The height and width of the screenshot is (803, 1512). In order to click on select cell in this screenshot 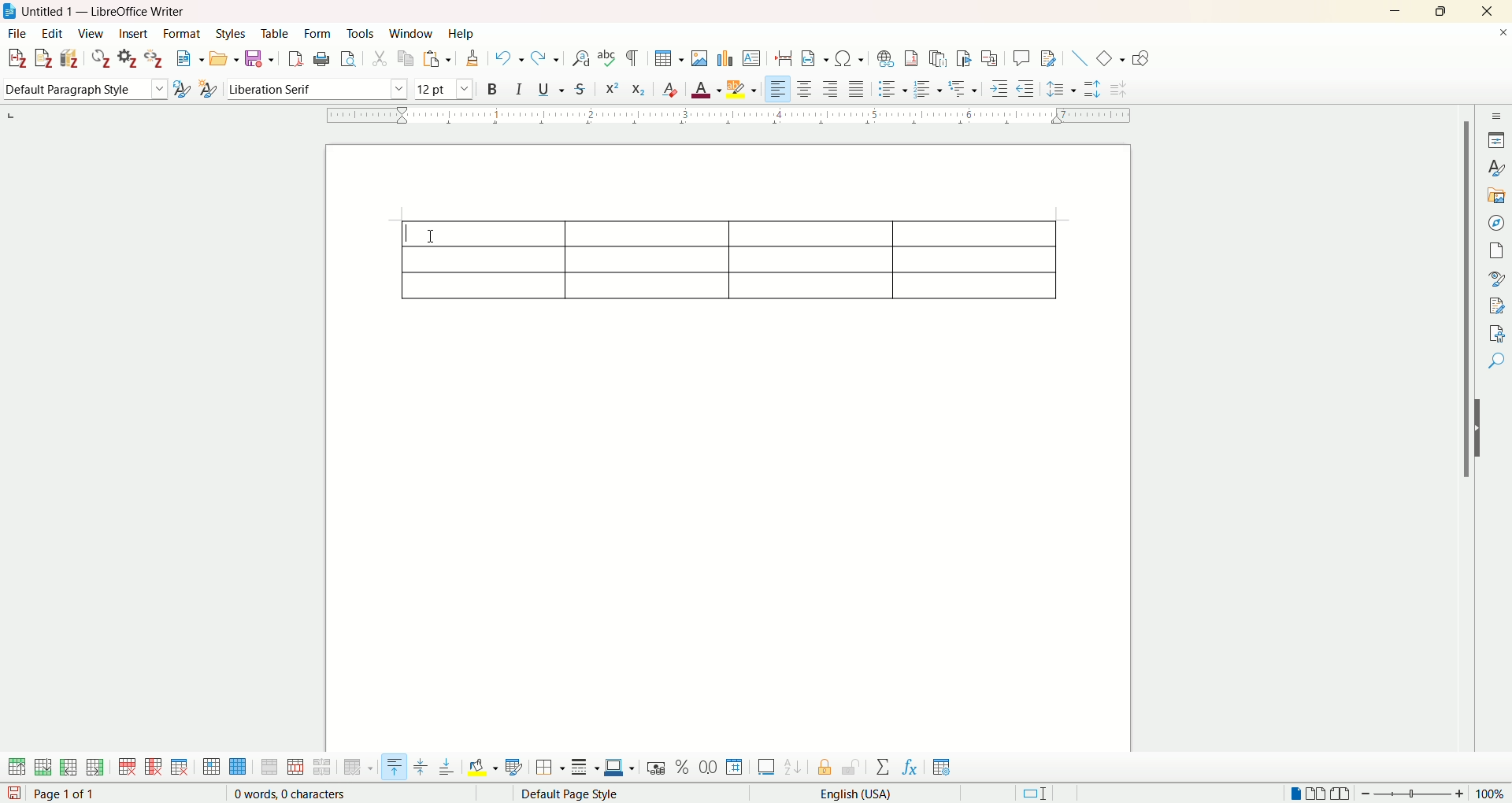, I will do `click(209, 768)`.